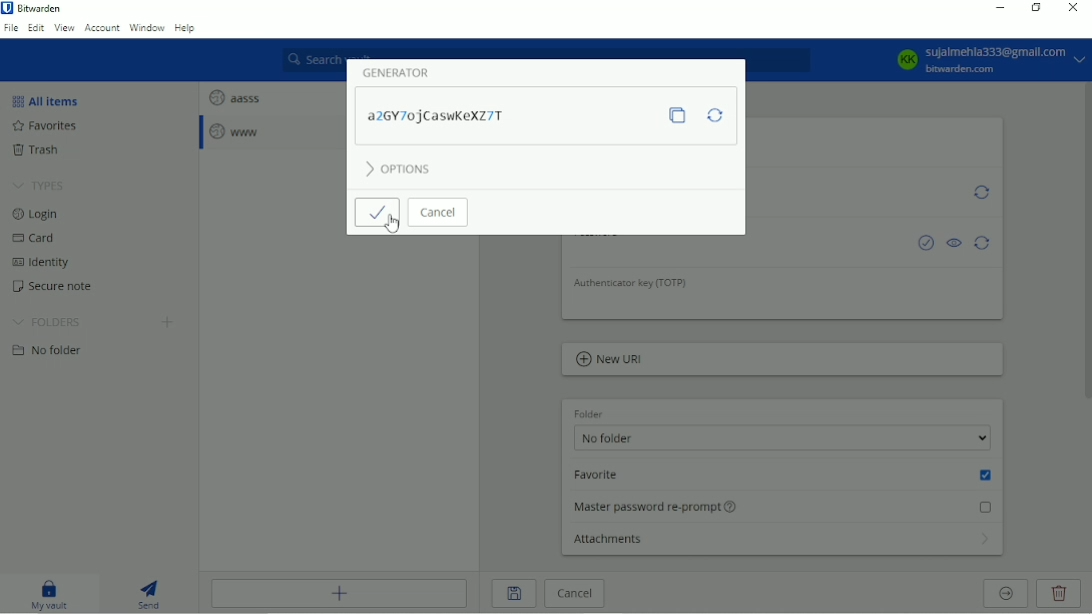 The height and width of the screenshot is (614, 1092). What do you see at coordinates (955, 244) in the screenshot?
I see `Toggle visibility` at bounding box center [955, 244].